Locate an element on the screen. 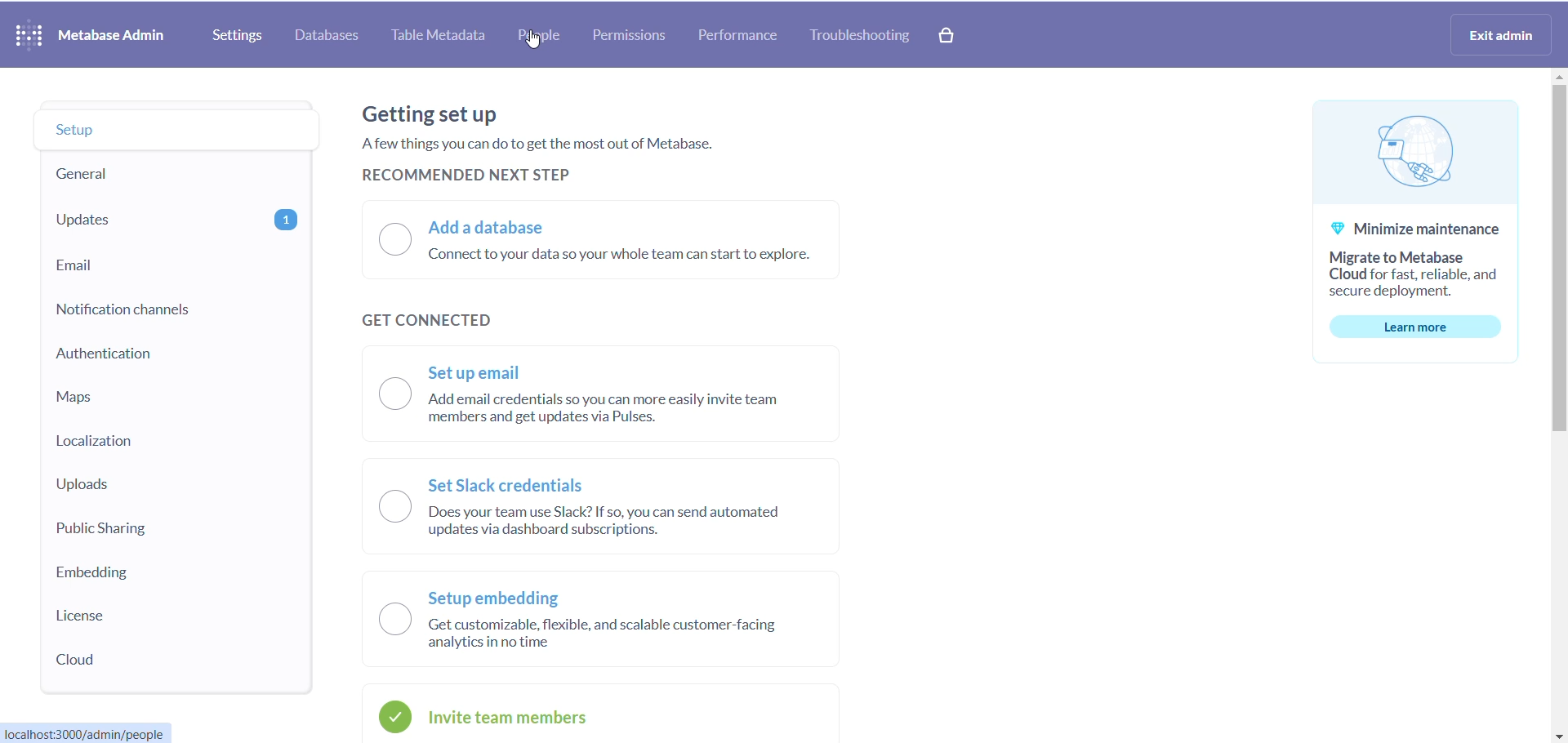  logo is located at coordinates (1412, 145).